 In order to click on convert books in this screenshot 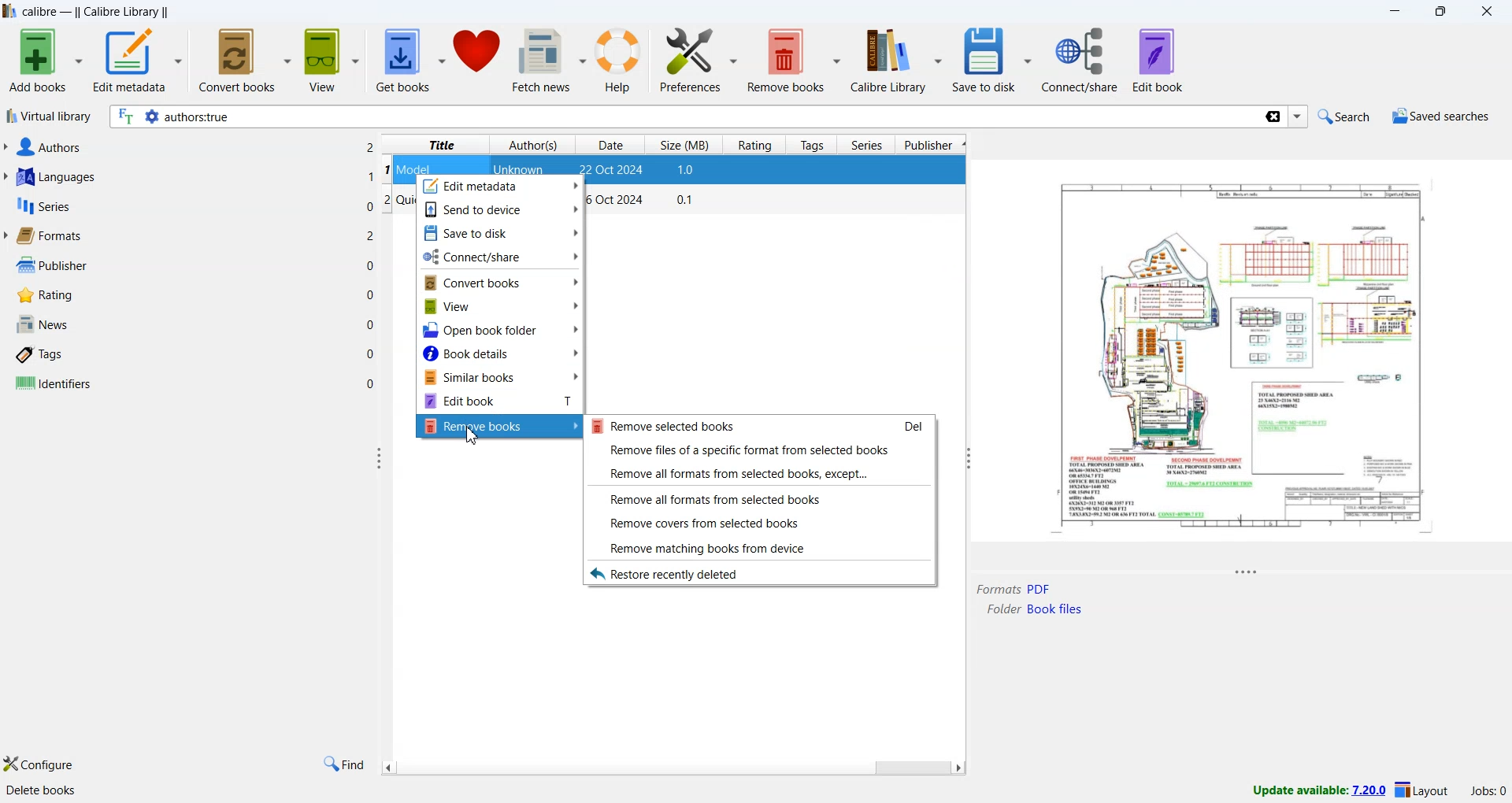, I will do `click(246, 59)`.